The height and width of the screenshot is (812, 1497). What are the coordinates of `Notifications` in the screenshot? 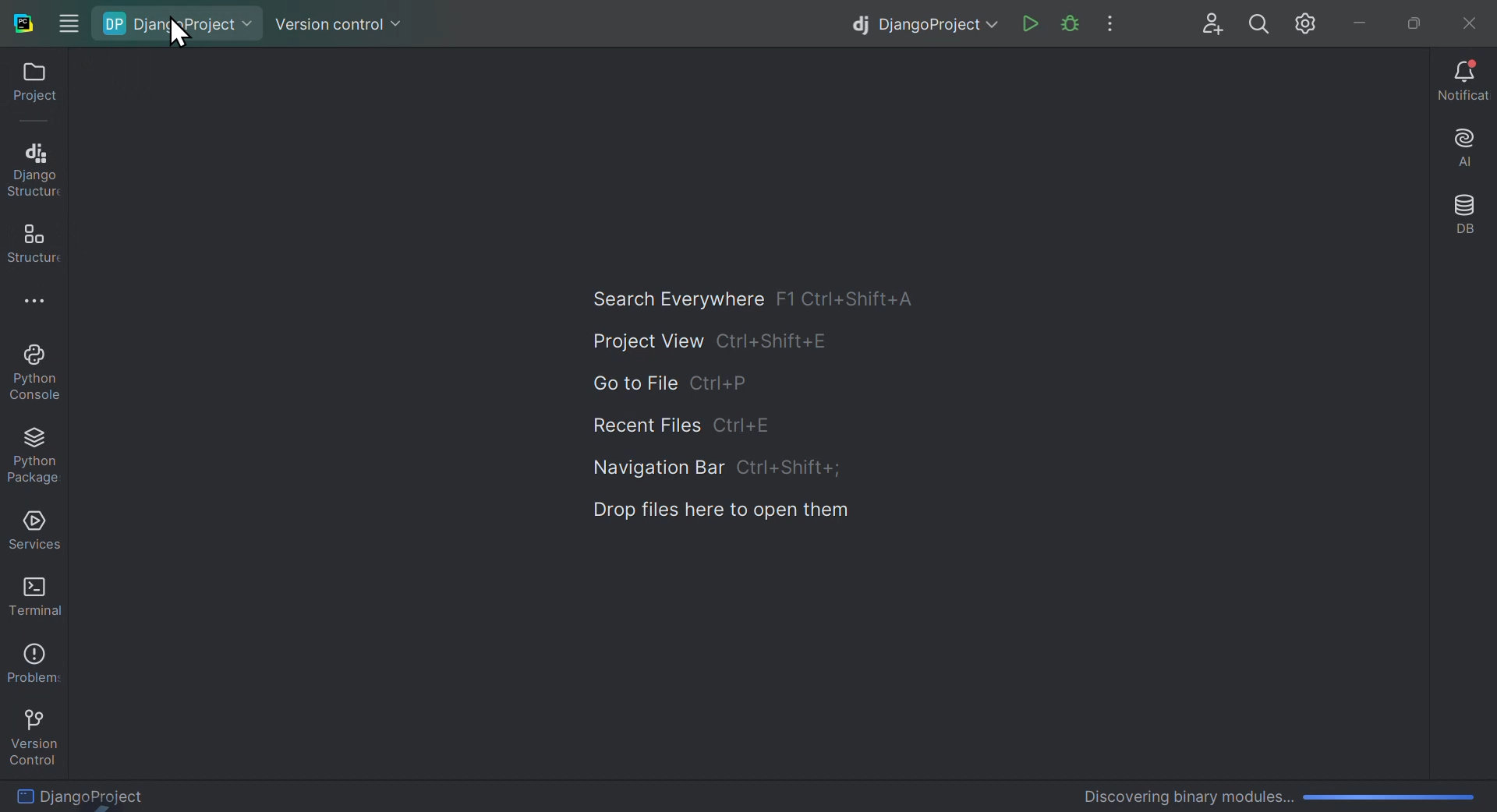 It's located at (1463, 83).